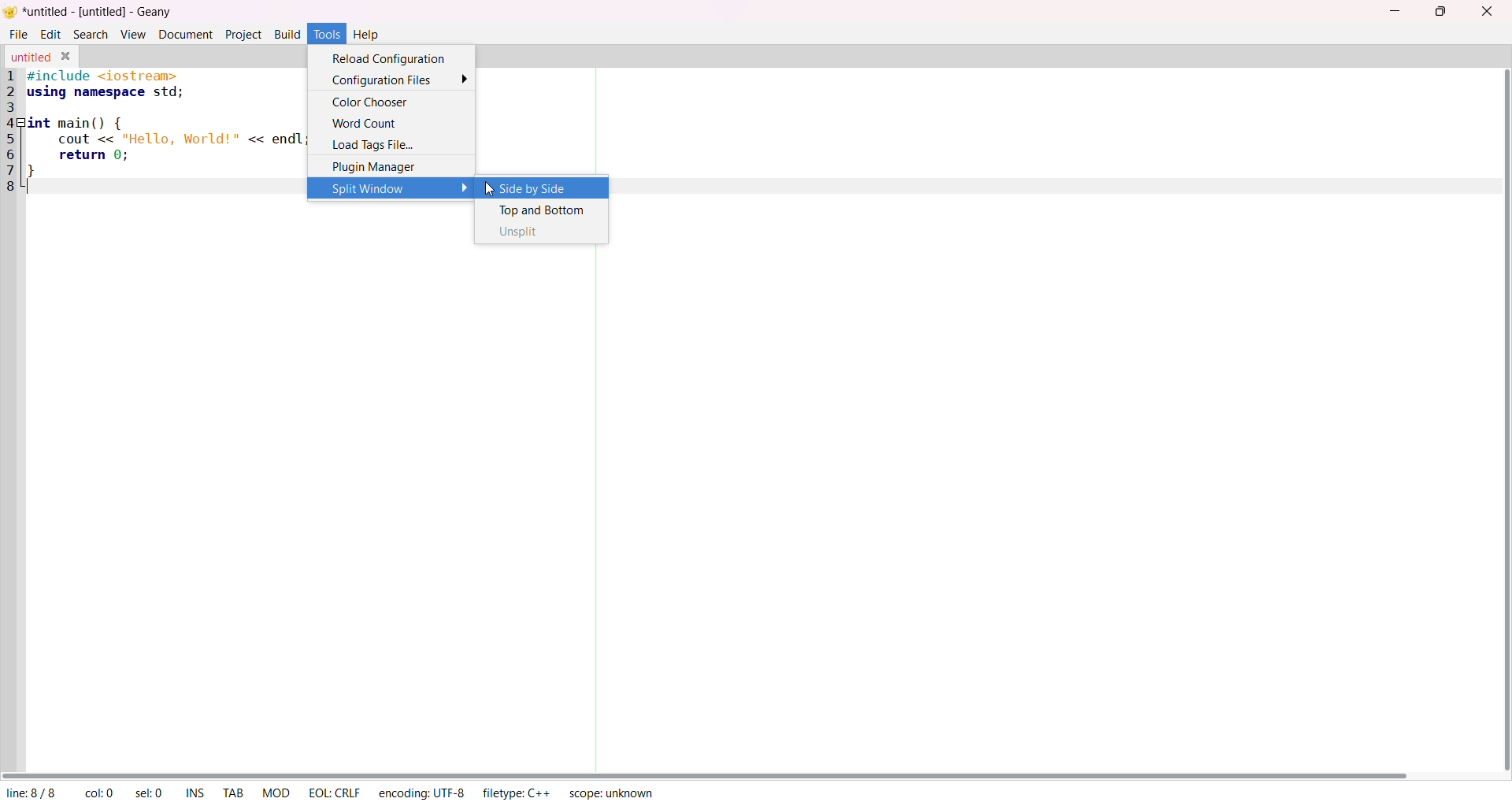 This screenshot has width=1512, height=802. What do you see at coordinates (424, 793) in the screenshot?
I see `encoding: UTF-8` at bounding box center [424, 793].